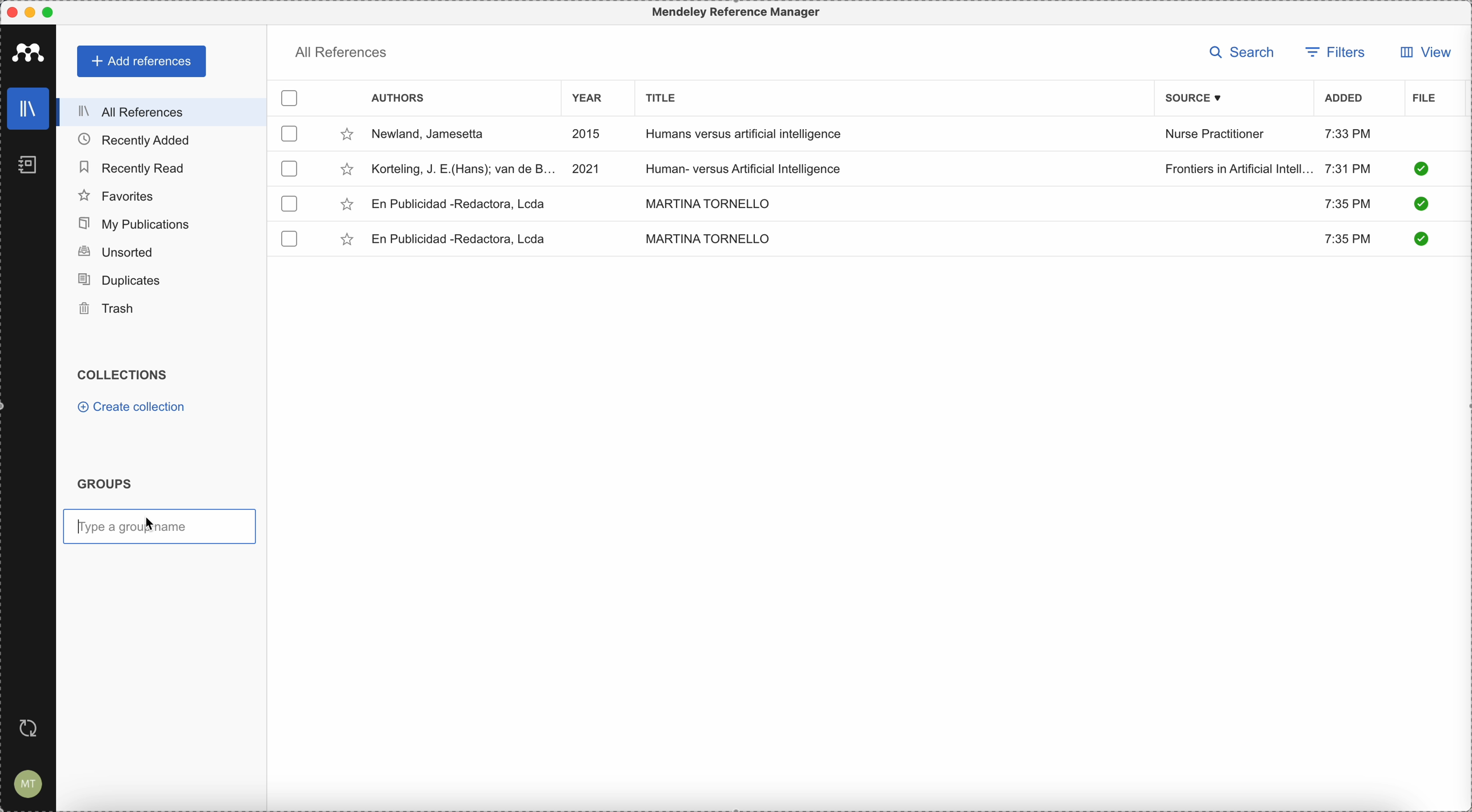  I want to click on groups, so click(104, 482).